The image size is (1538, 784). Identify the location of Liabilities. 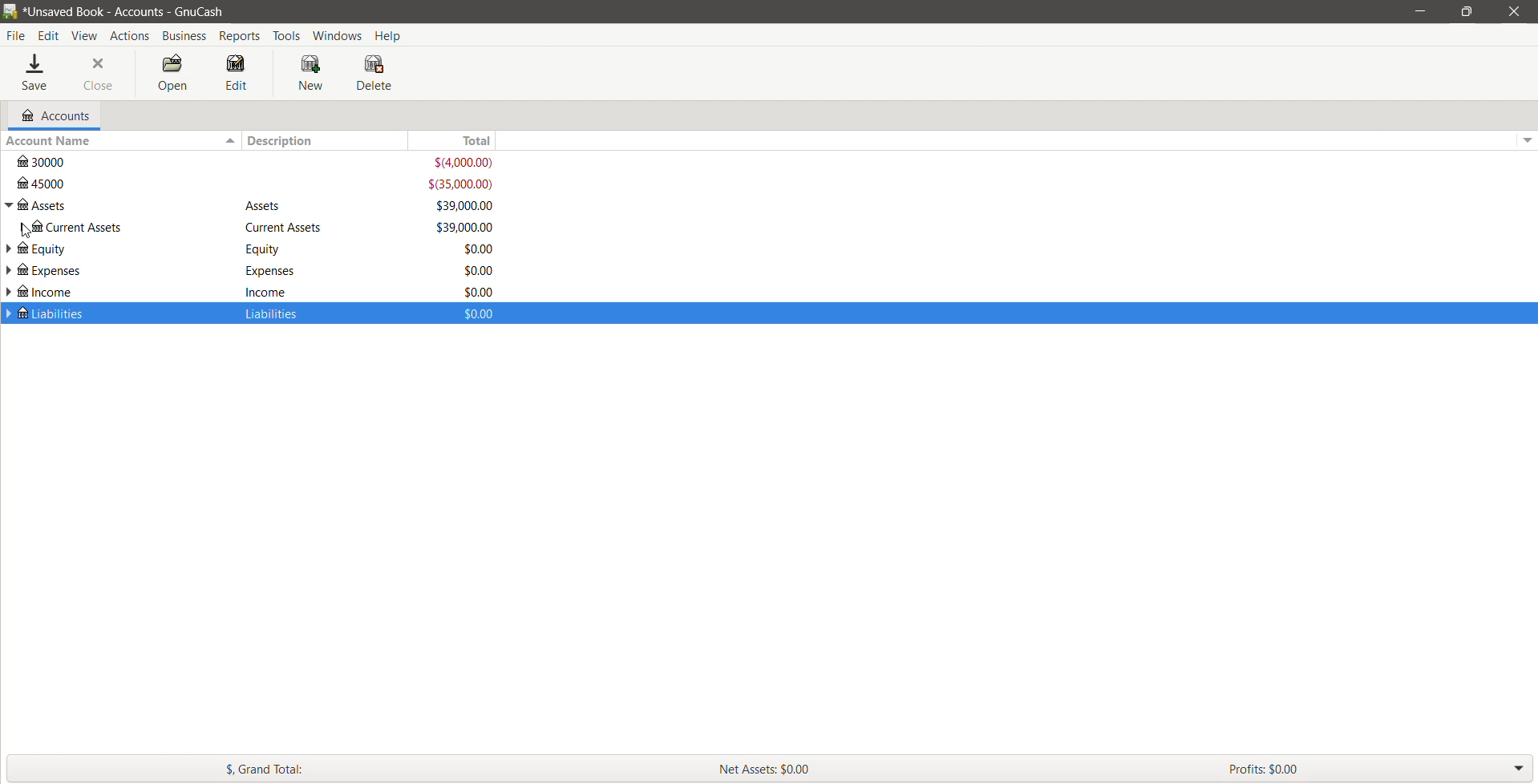
(115, 315).